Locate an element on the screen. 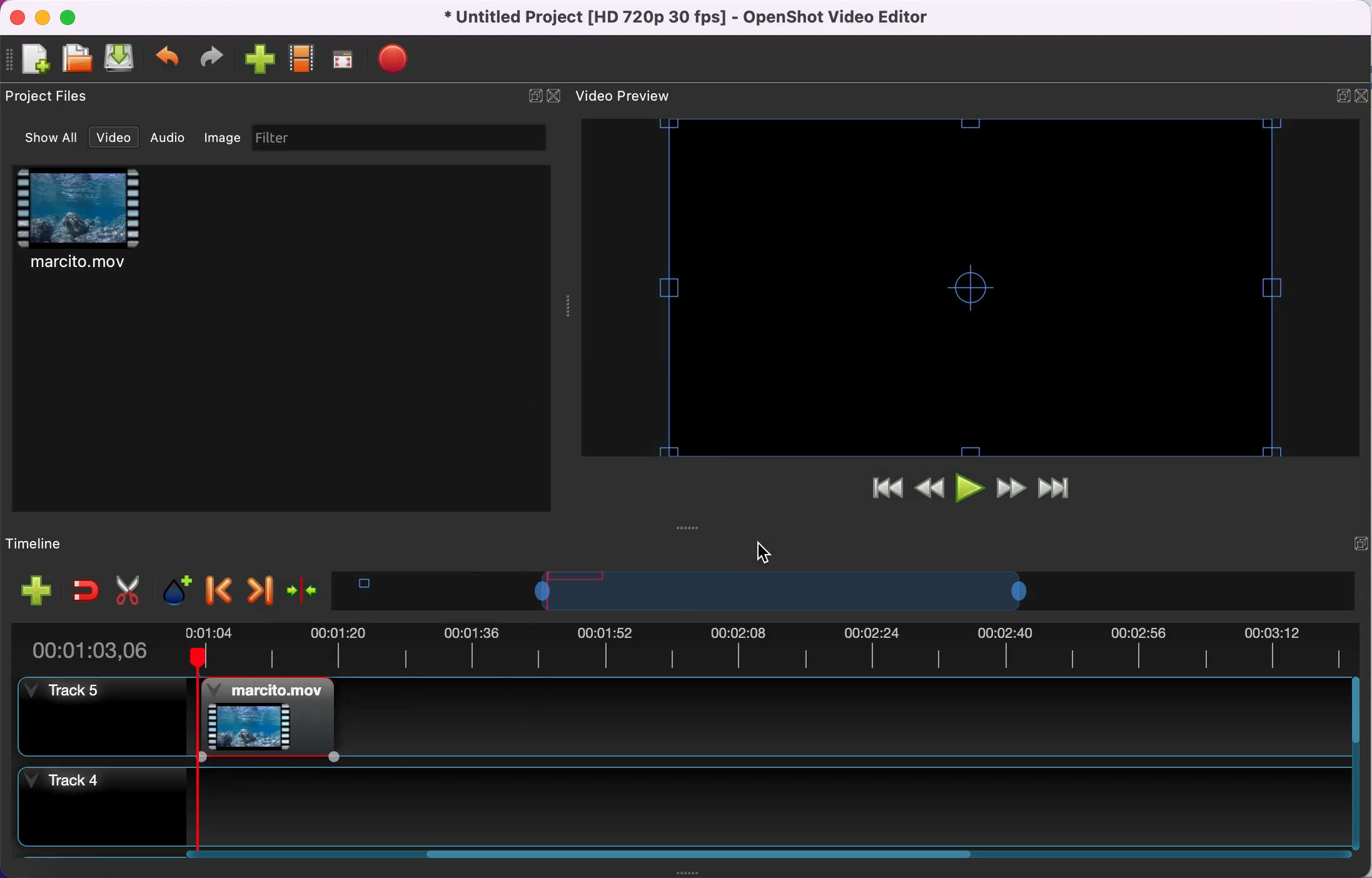 Image resolution: width=1372 pixels, height=878 pixels. export file is located at coordinates (408, 59).